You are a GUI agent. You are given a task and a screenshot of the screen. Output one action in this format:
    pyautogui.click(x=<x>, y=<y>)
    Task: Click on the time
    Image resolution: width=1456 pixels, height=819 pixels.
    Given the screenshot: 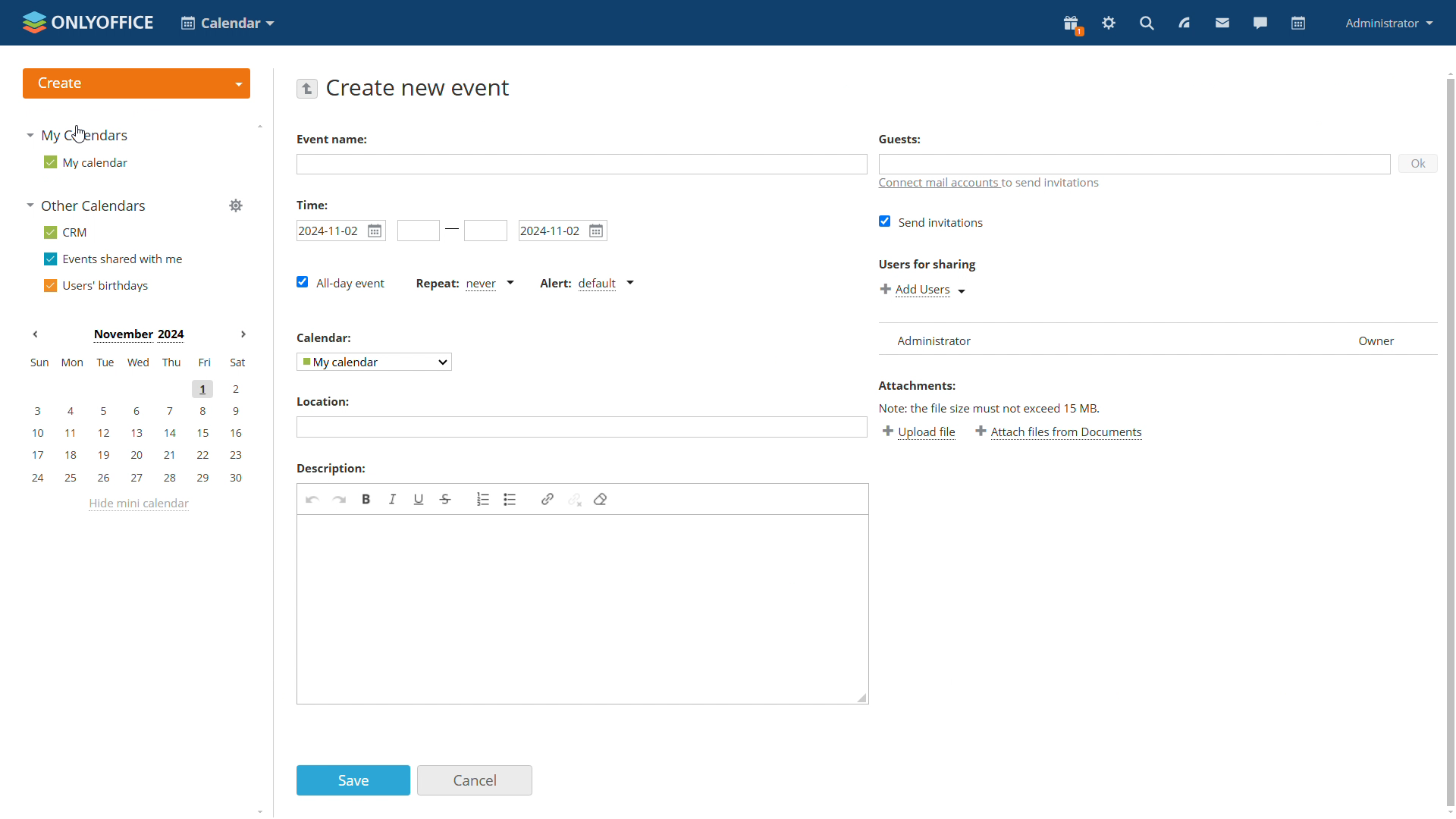 What is the action you would take?
    pyautogui.click(x=312, y=203)
    